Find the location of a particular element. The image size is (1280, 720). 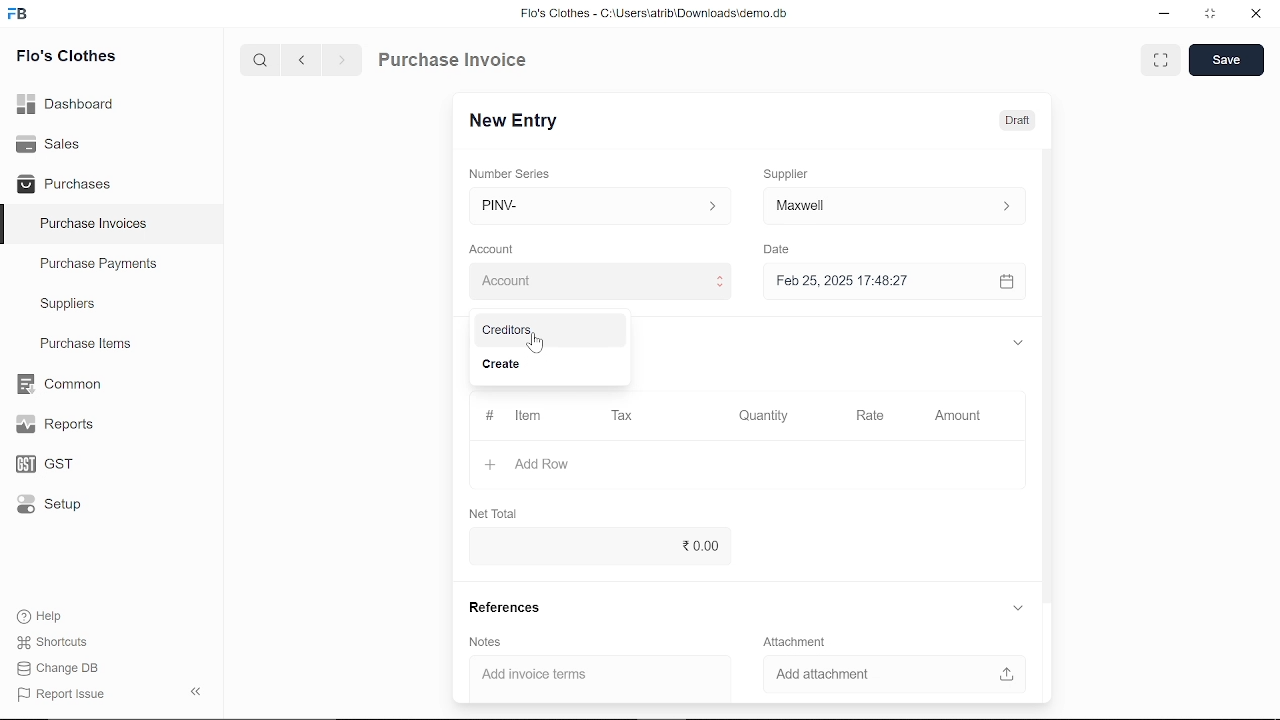

Purchase Invoices is located at coordinates (94, 226).